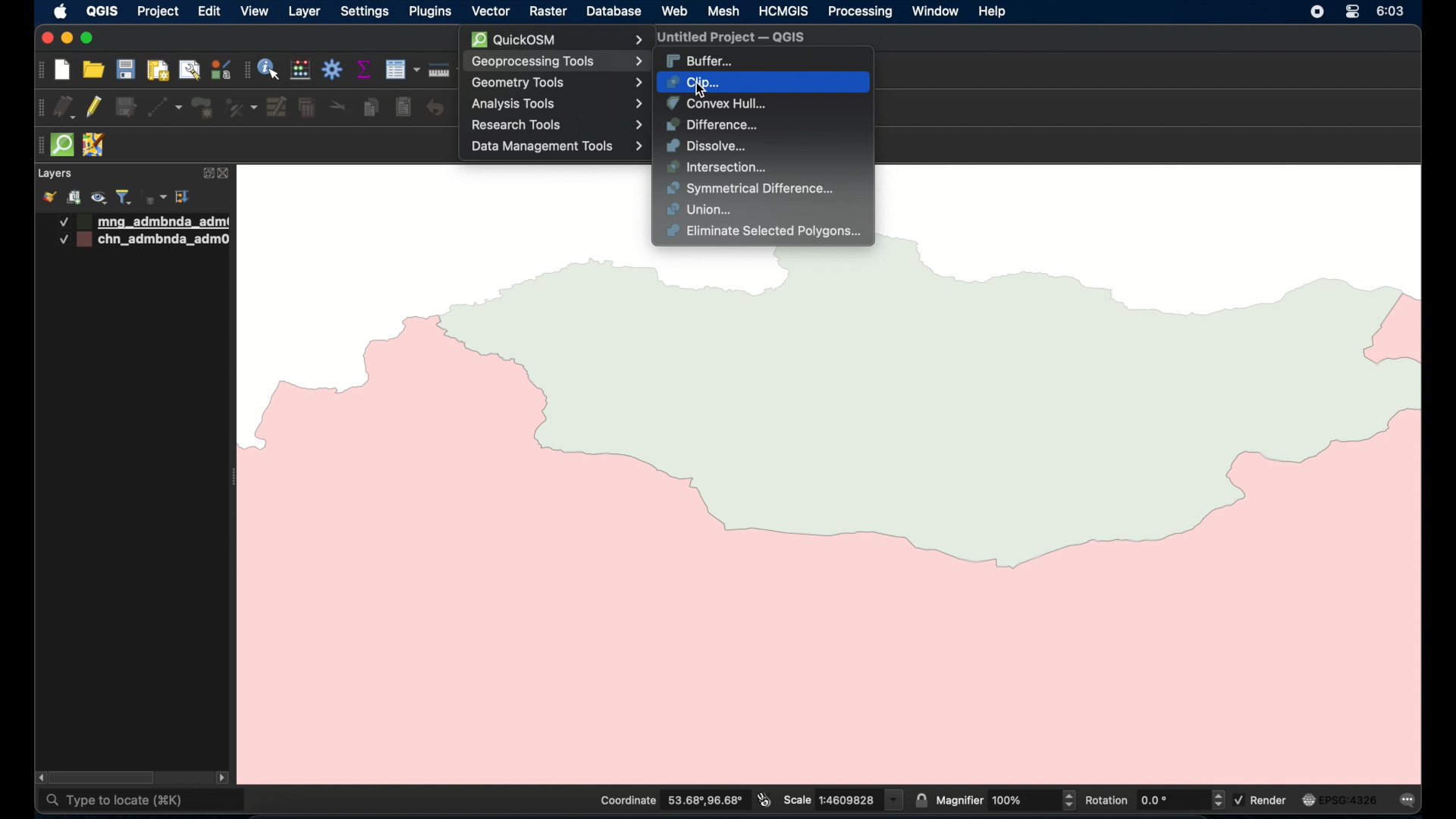 Image resolution: width=1456 pixels, height=819 pixels. What do you see at coordinates (220, 69) in the screenshot?
I see `styling manager` at bounding box center [220, 69].